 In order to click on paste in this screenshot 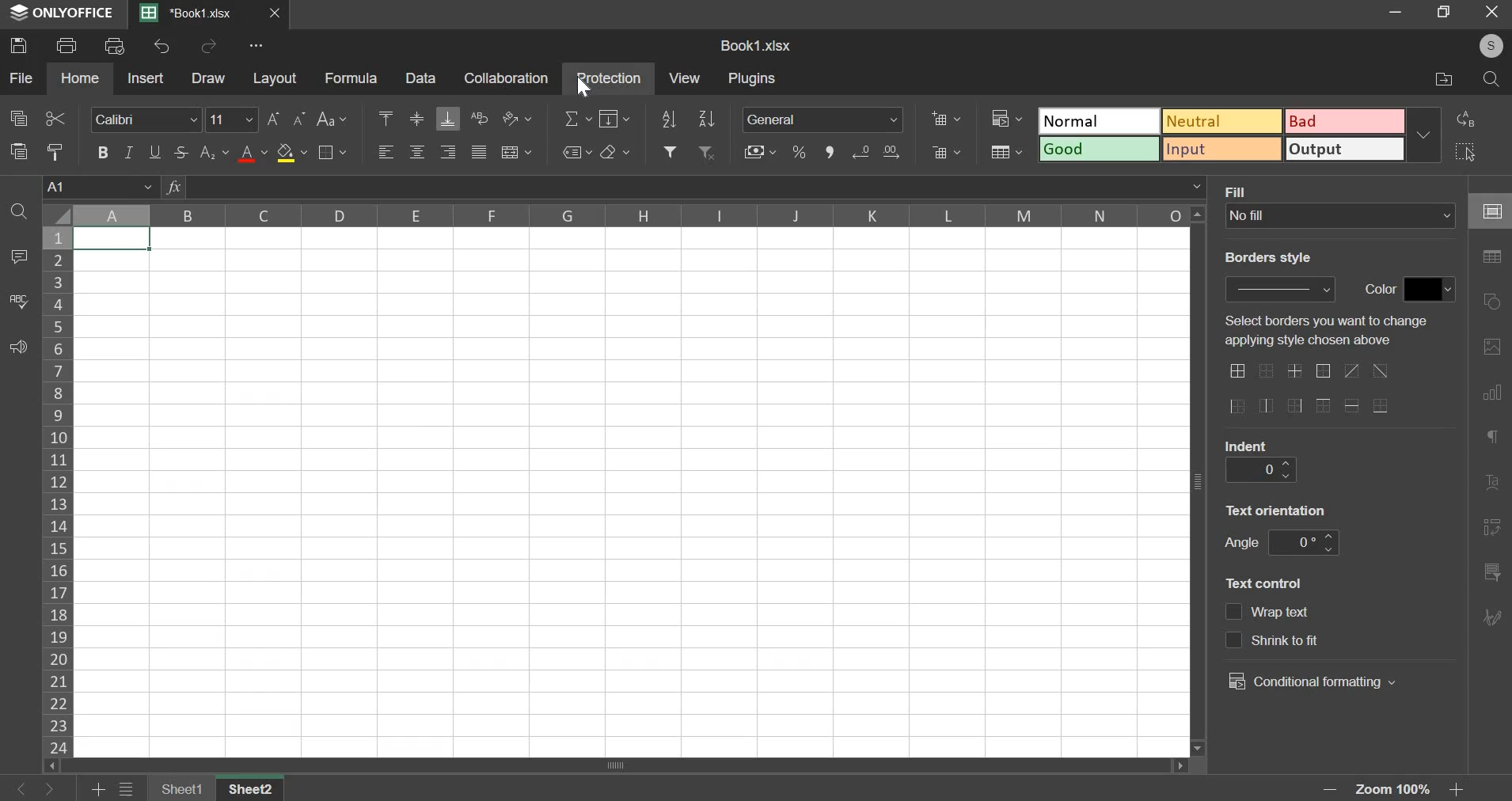, I will do `click(18, 150)`.